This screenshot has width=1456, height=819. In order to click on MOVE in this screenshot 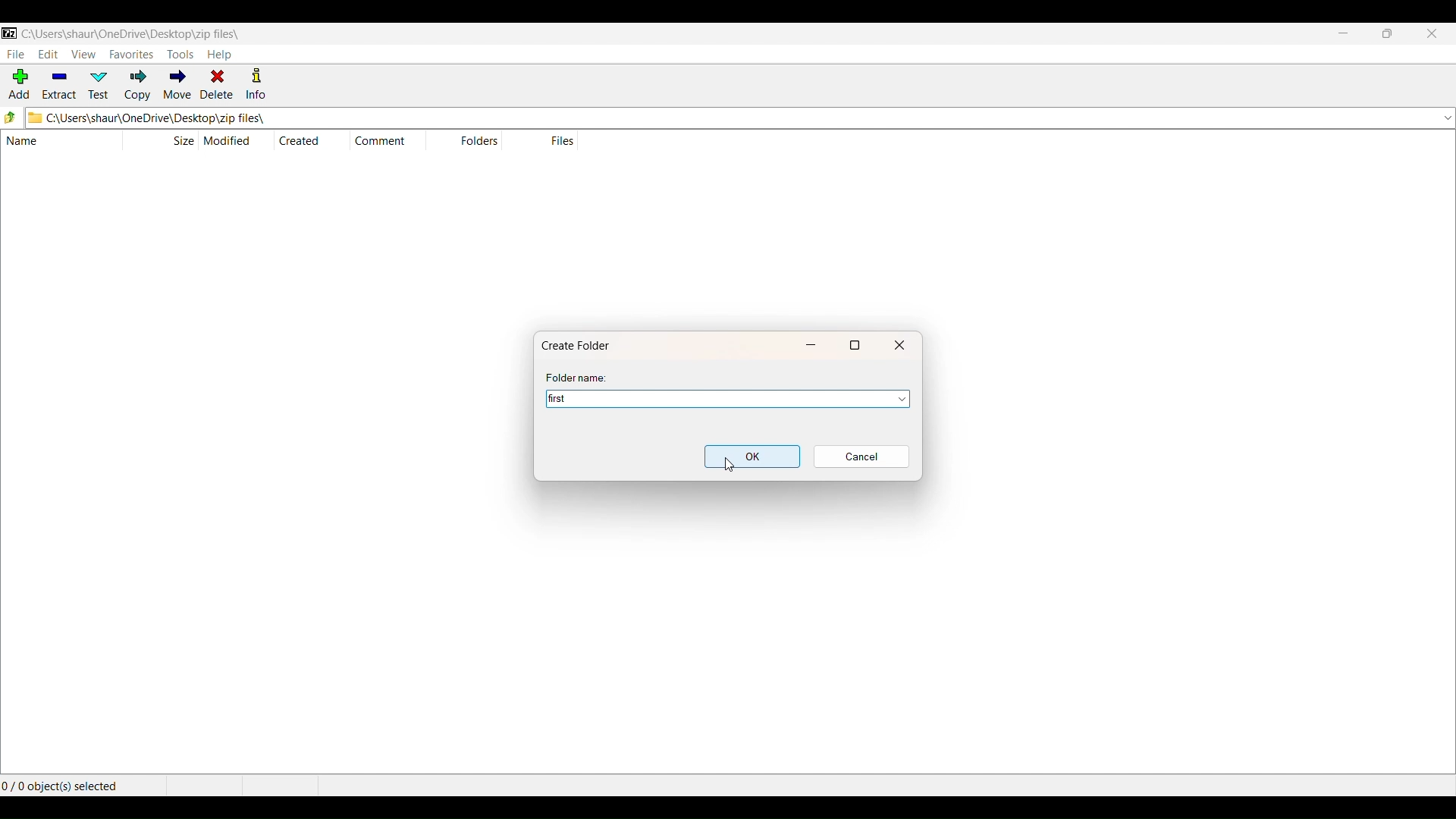, I will do `click(176, 86)`.